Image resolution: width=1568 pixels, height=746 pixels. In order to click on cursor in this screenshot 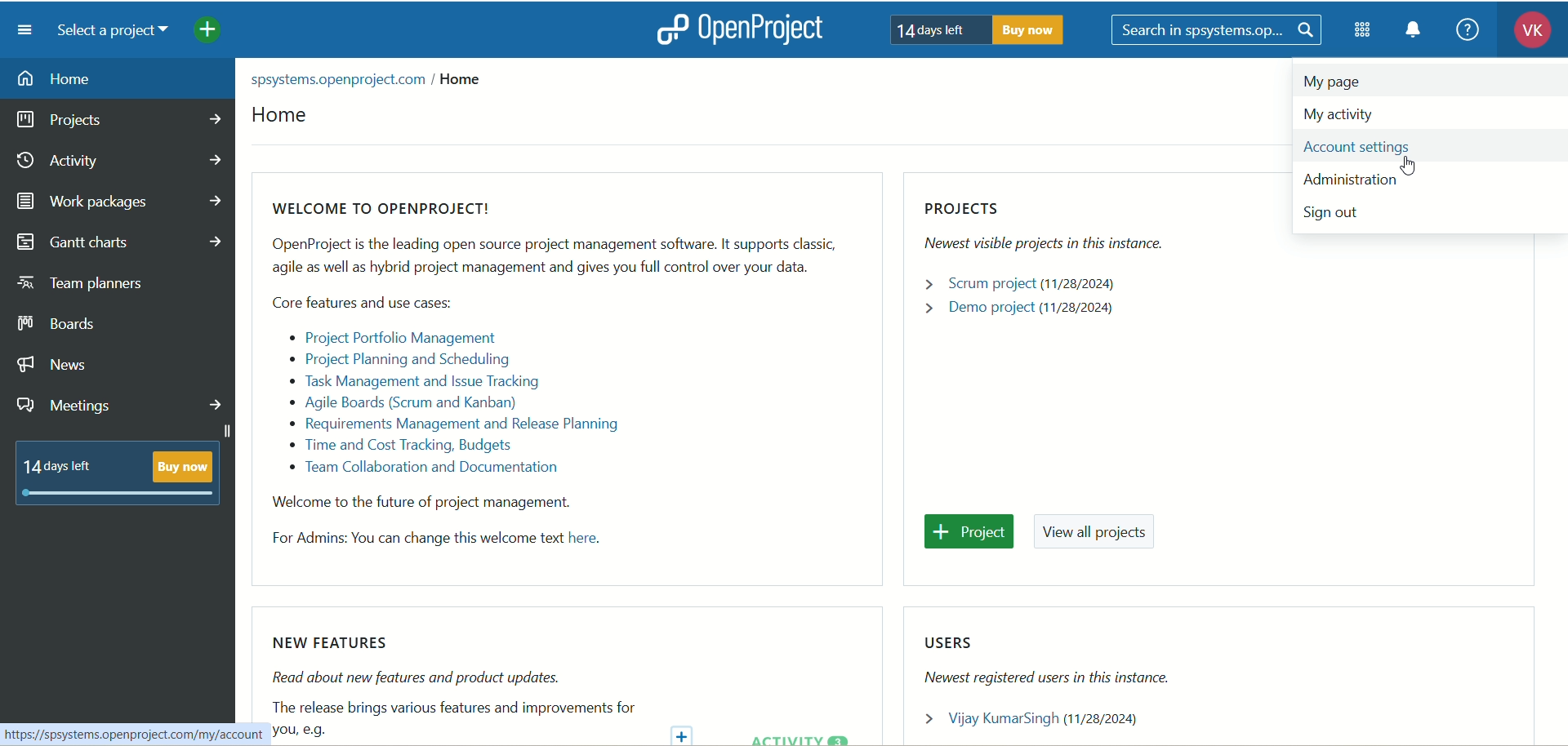, I will do `click(1414, 166)`.